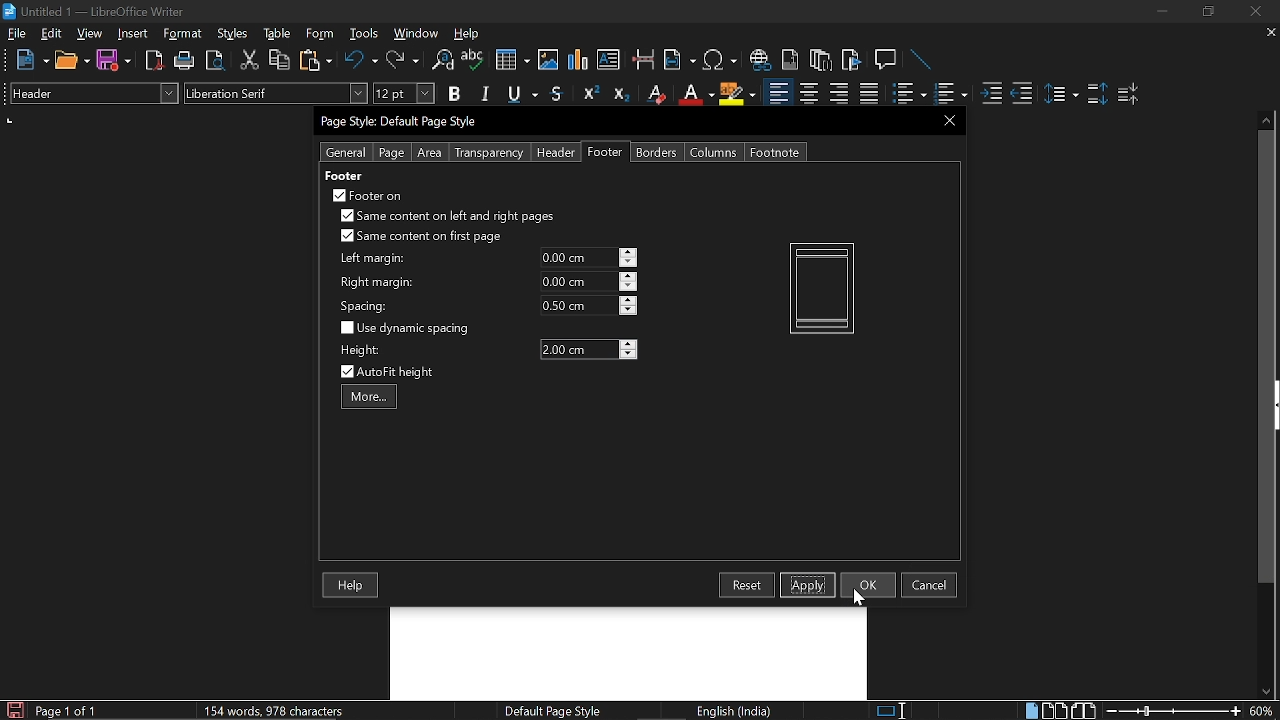 The width and height of the screenshot is (1280, 720). I want to click on General, so click(347, 152).